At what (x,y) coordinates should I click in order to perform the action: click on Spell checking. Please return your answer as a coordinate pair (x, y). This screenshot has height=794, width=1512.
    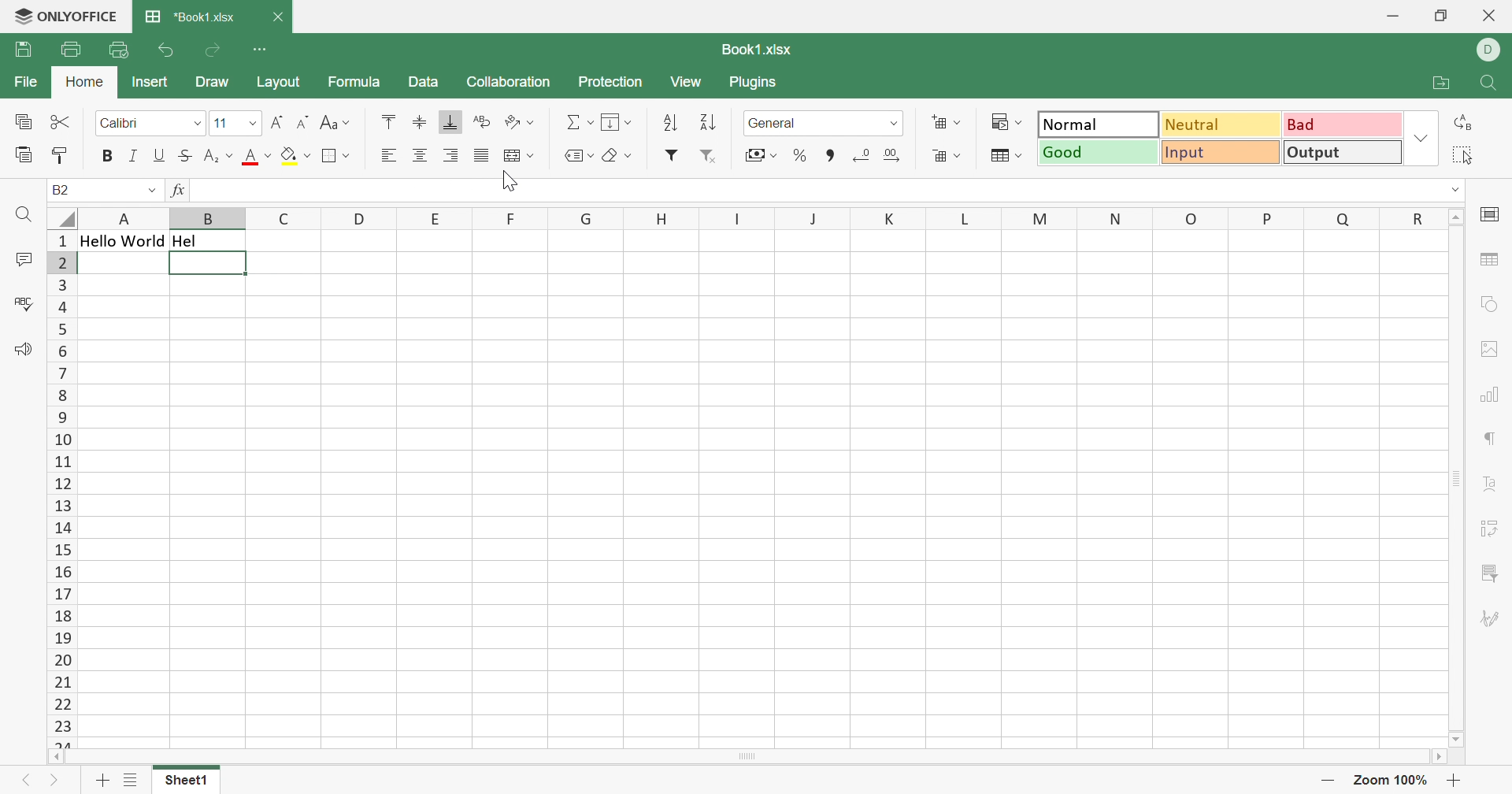
    Looking at the image, I should click on (26, 304).